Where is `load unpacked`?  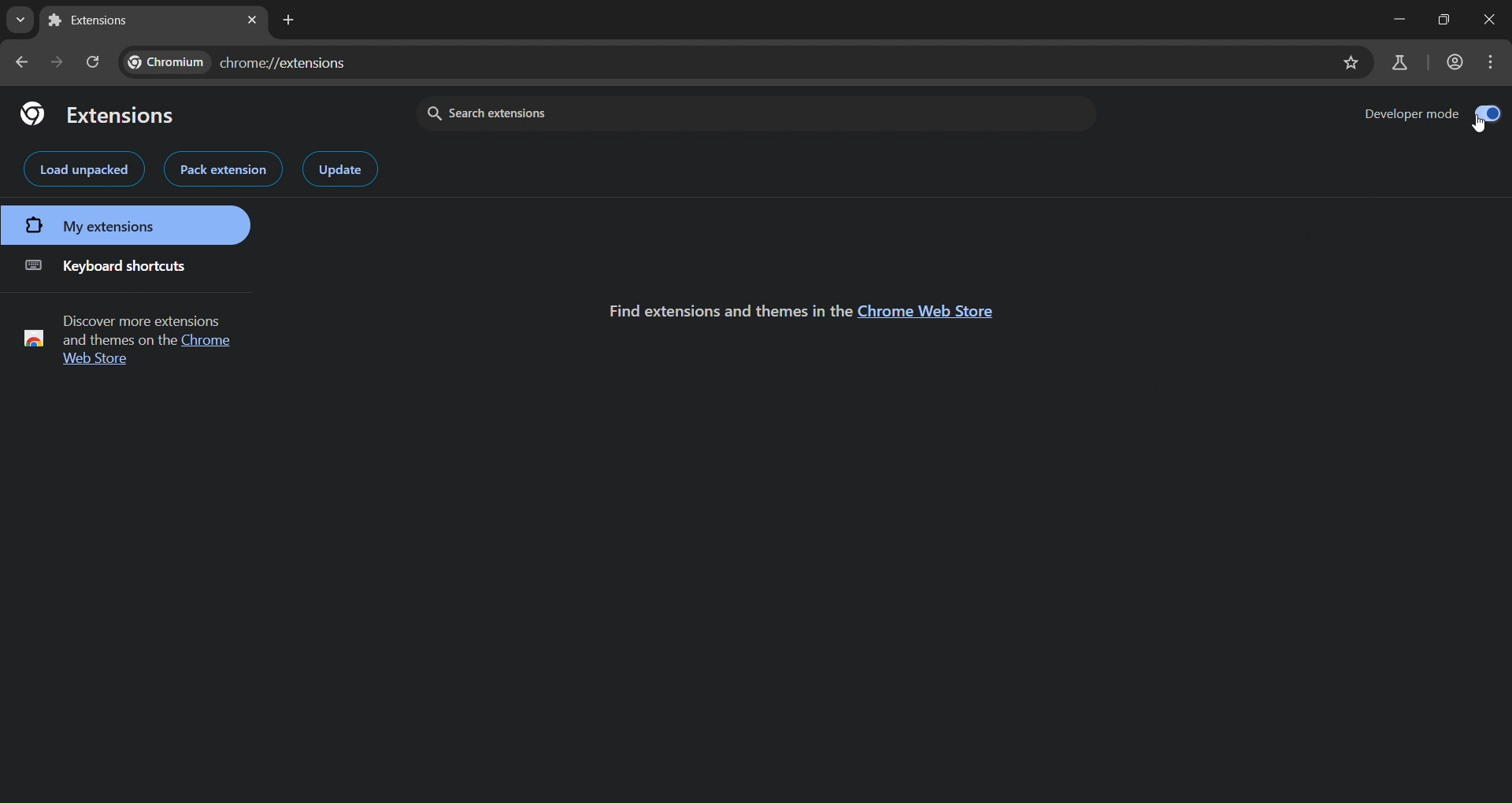 load unpacked is located at coordinates (84, 169).